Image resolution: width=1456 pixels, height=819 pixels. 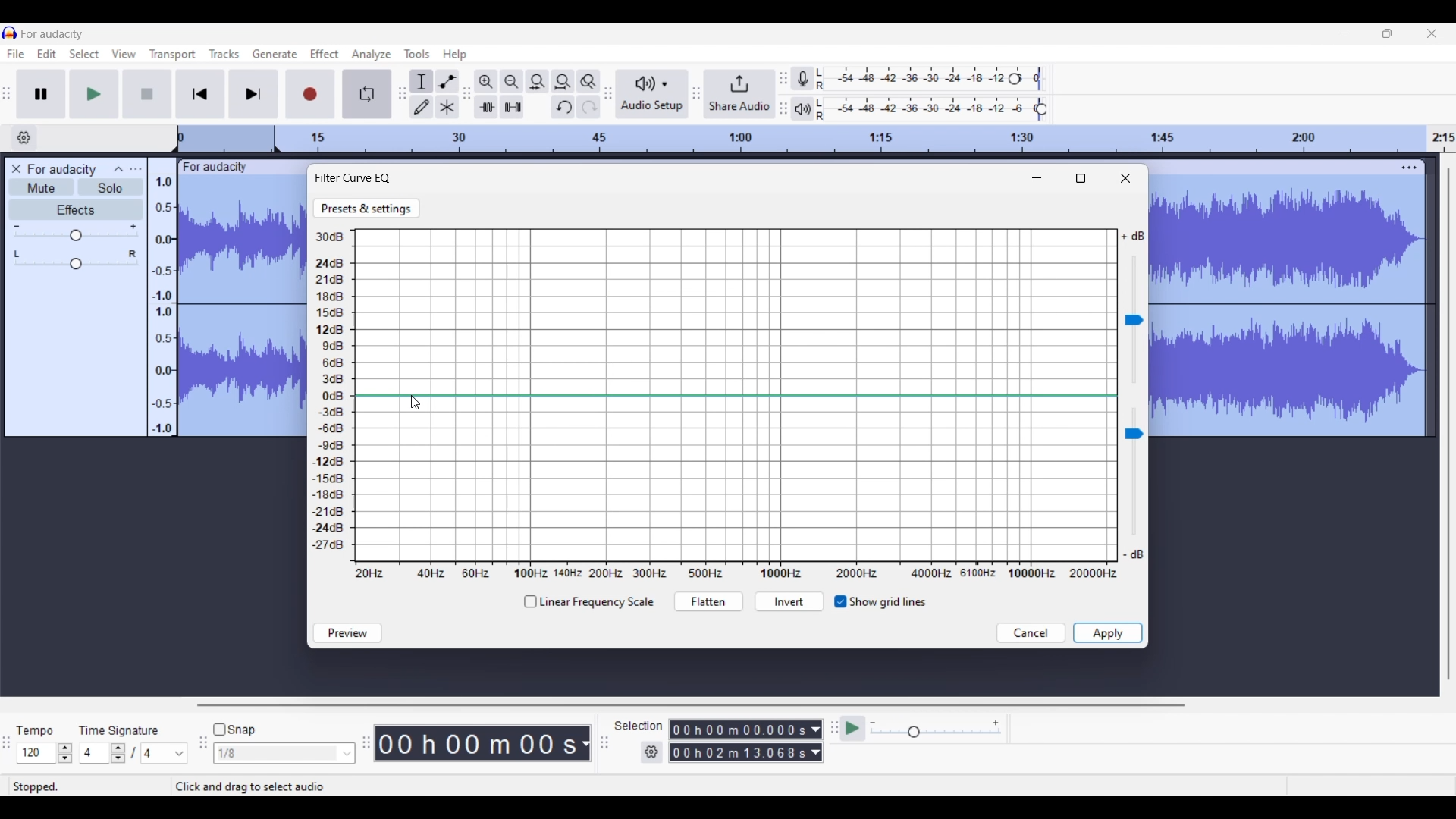 I want to click on X axis representing Hertz, so click(x=736, y=573).